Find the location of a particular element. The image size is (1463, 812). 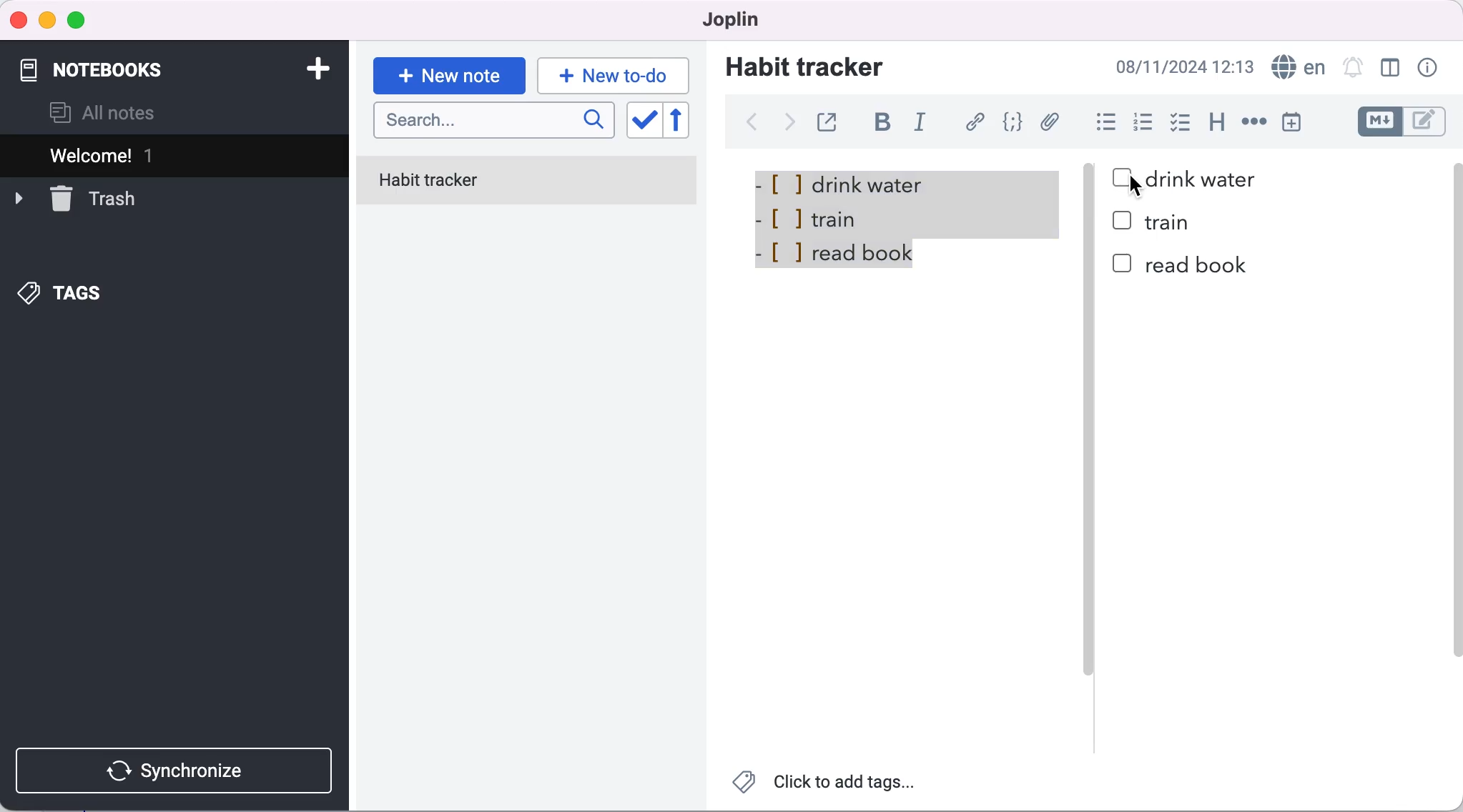

cursor is located at coordinates (1138, 188).